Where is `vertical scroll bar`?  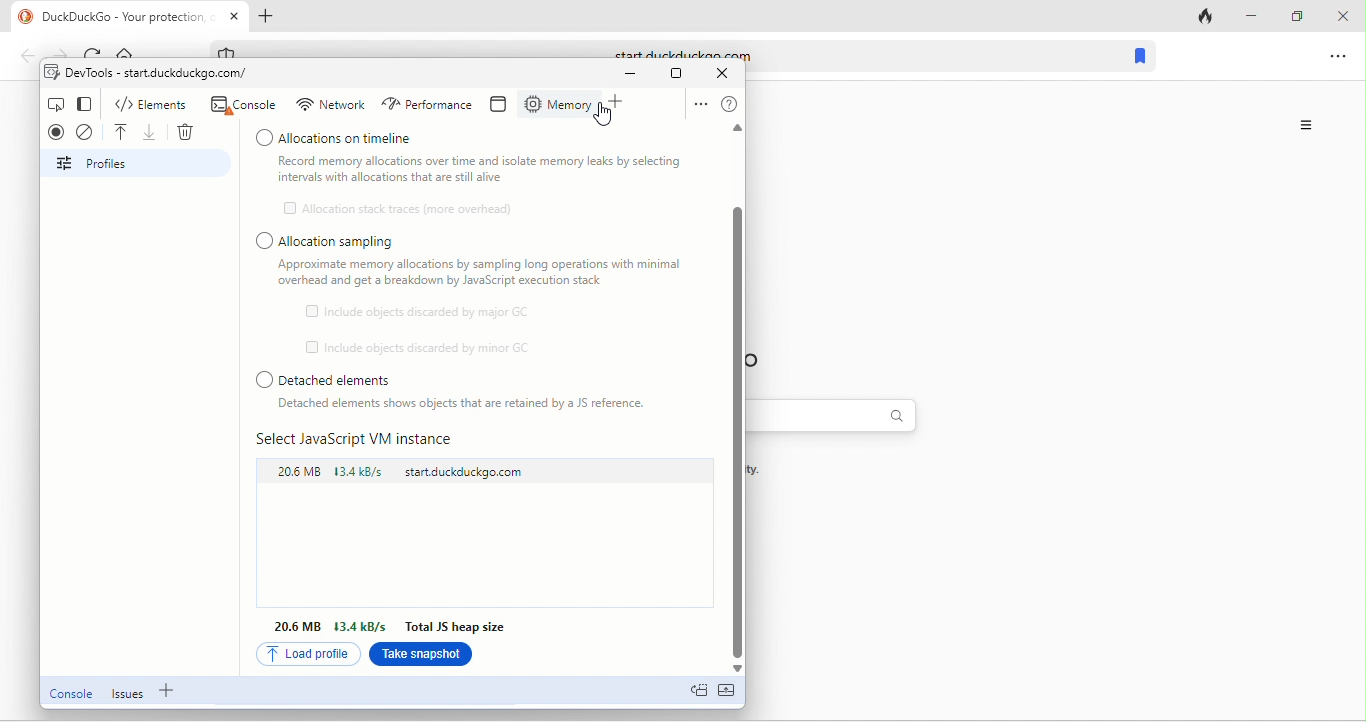 vertical scroll bar is located at coordinates (741, 437).